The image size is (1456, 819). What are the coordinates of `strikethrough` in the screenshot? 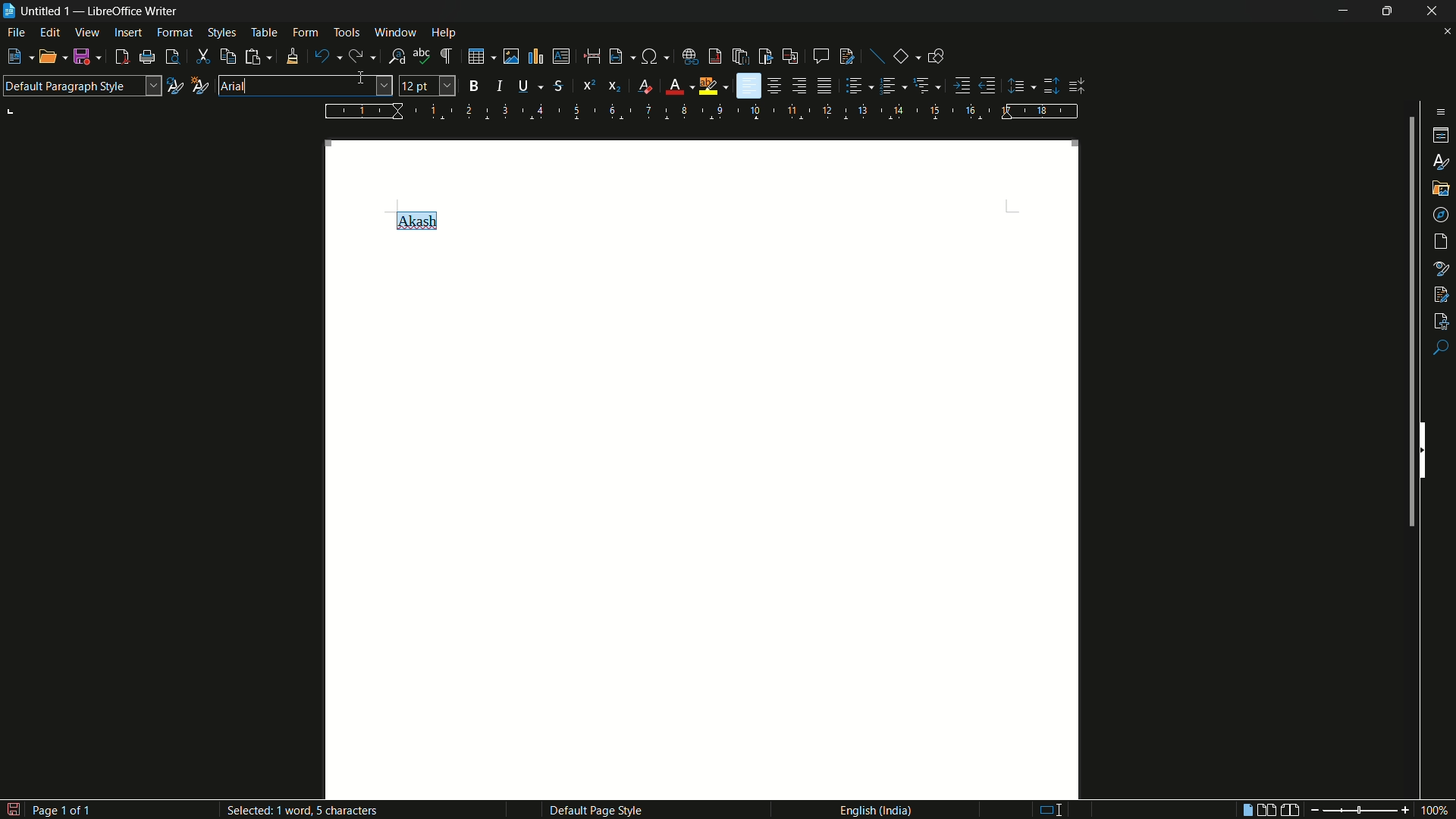 It's located at (557, 86).